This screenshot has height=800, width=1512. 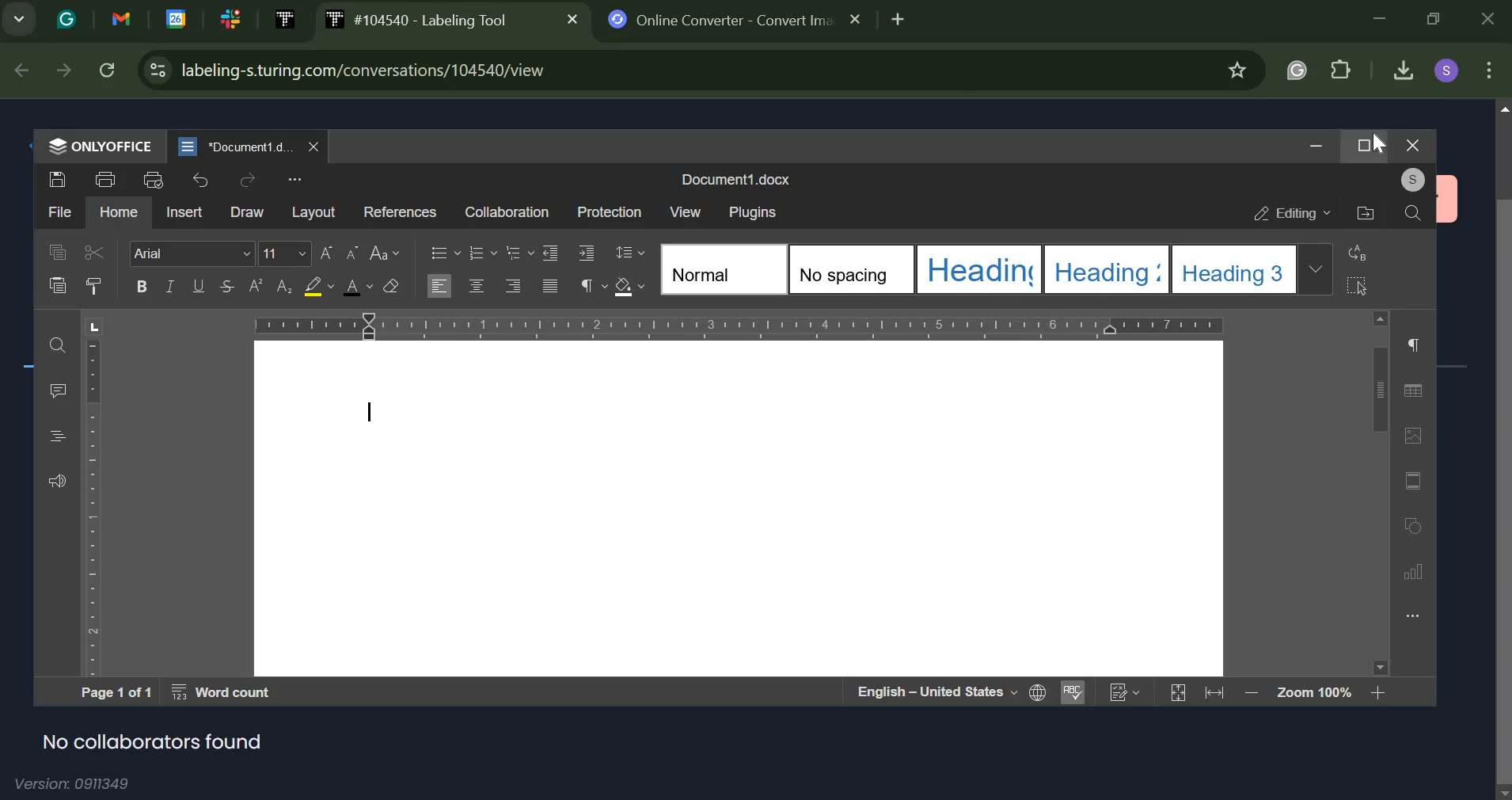 I want to click on undo, so click(x=201, y=180).